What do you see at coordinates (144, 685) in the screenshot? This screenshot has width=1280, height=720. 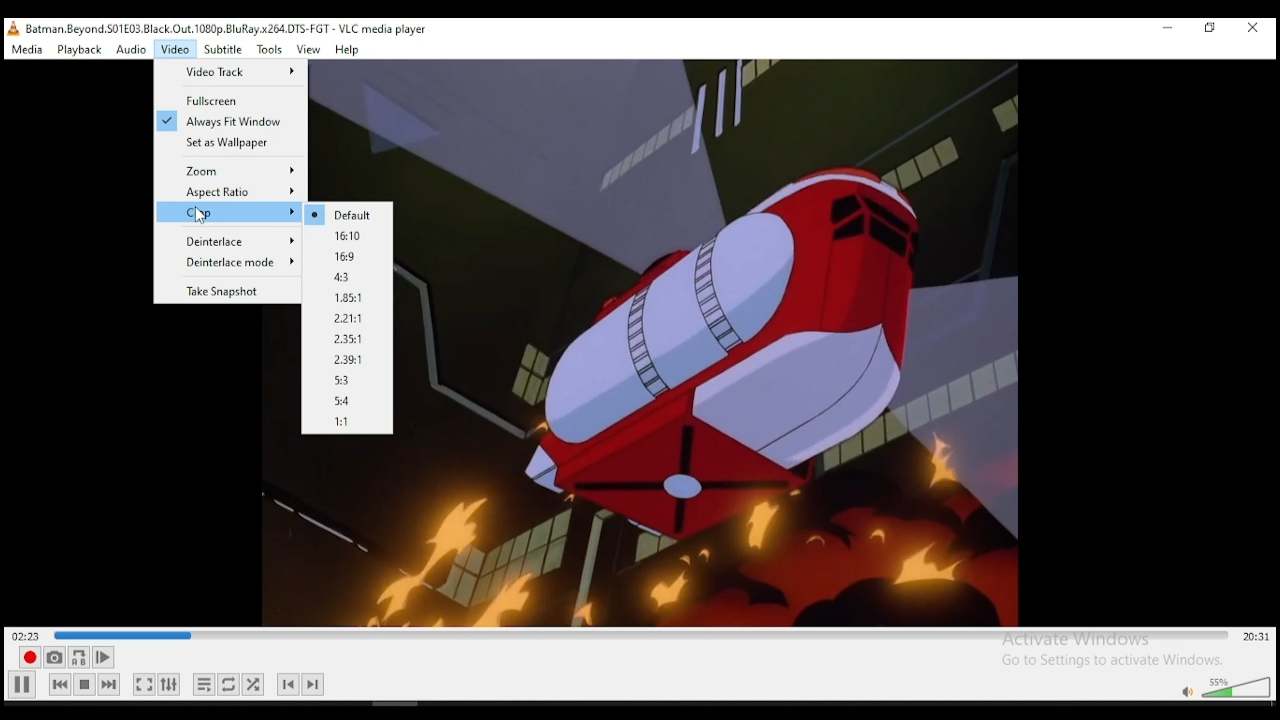 I see `toggle video in fullscrenn` at bounding box center [144, 685].